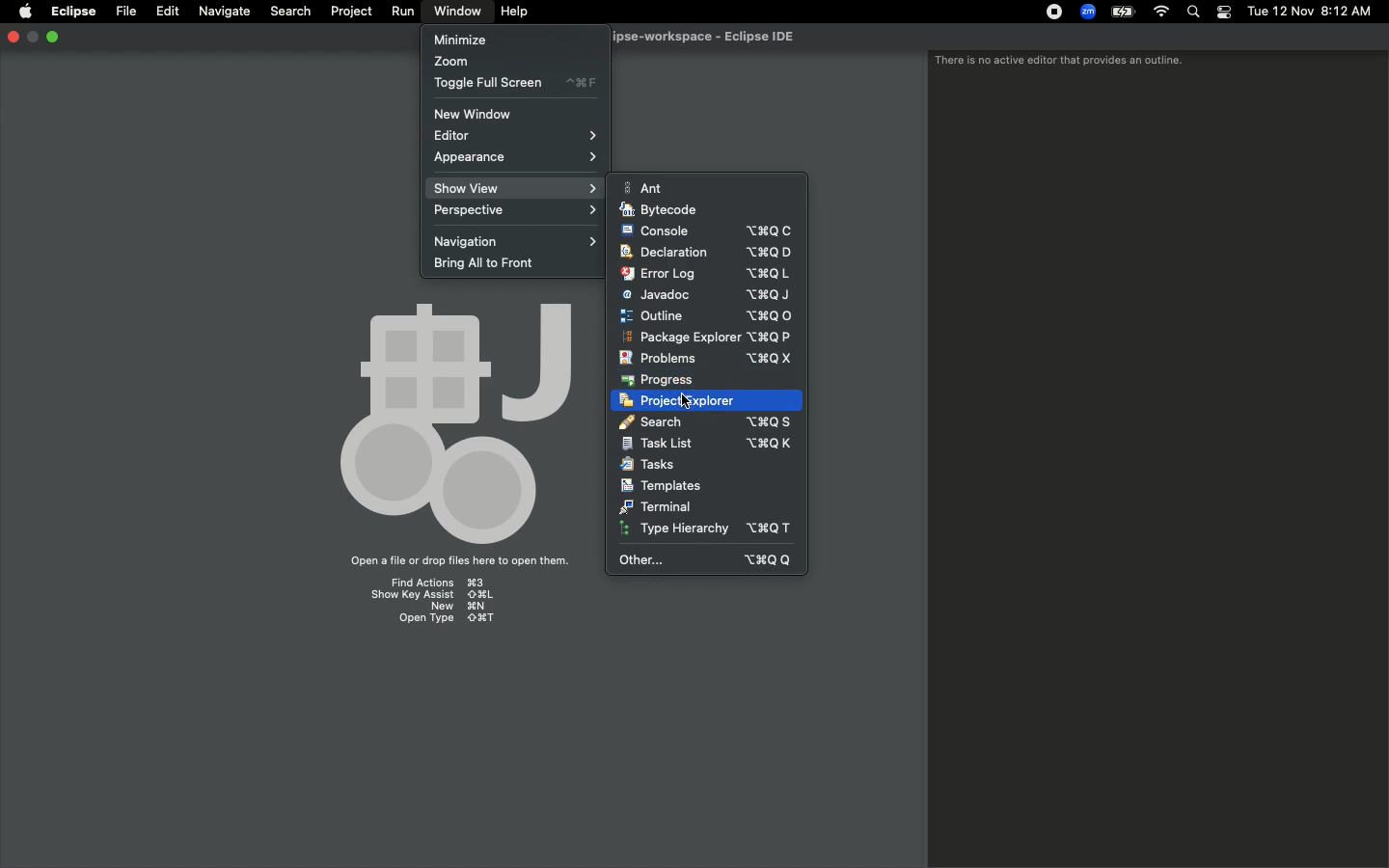 The image size is (1389, 868). I want to click on Find actions, so click(435, 581).